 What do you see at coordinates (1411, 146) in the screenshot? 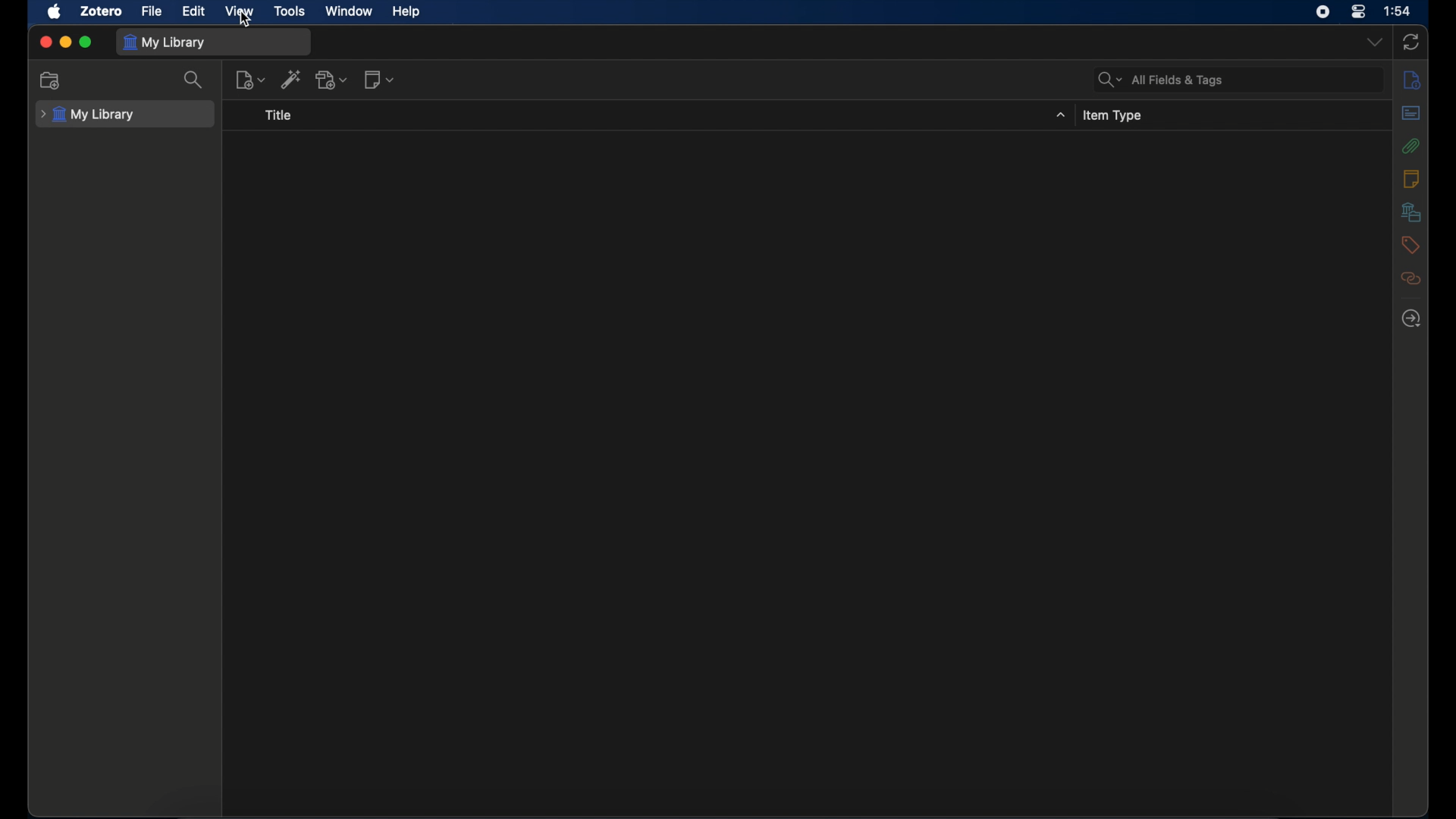
I see `attachments` at bounding box center [1411, 146].